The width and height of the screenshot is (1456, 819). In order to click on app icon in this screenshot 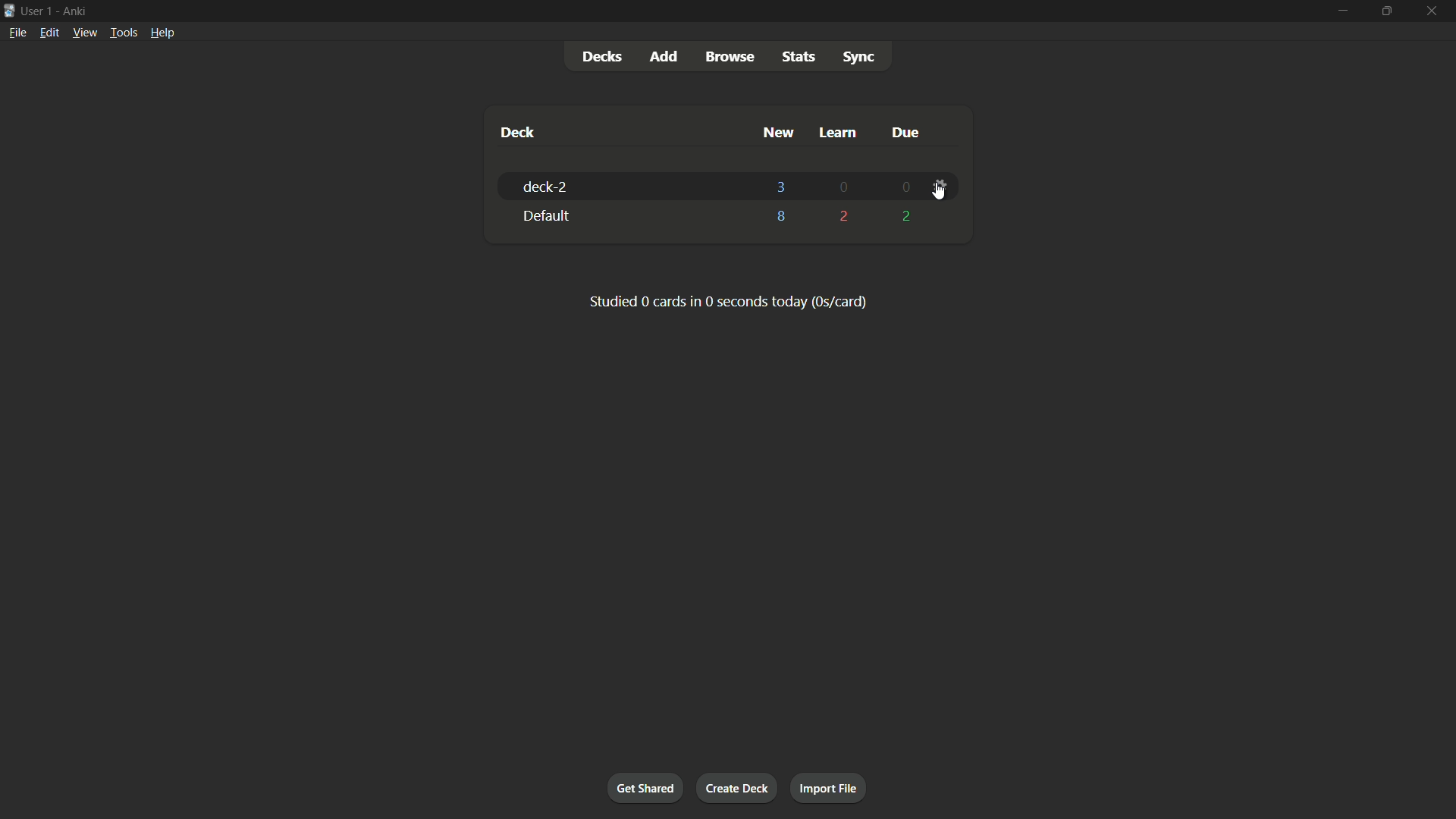, I will do `click(9, 10)`.